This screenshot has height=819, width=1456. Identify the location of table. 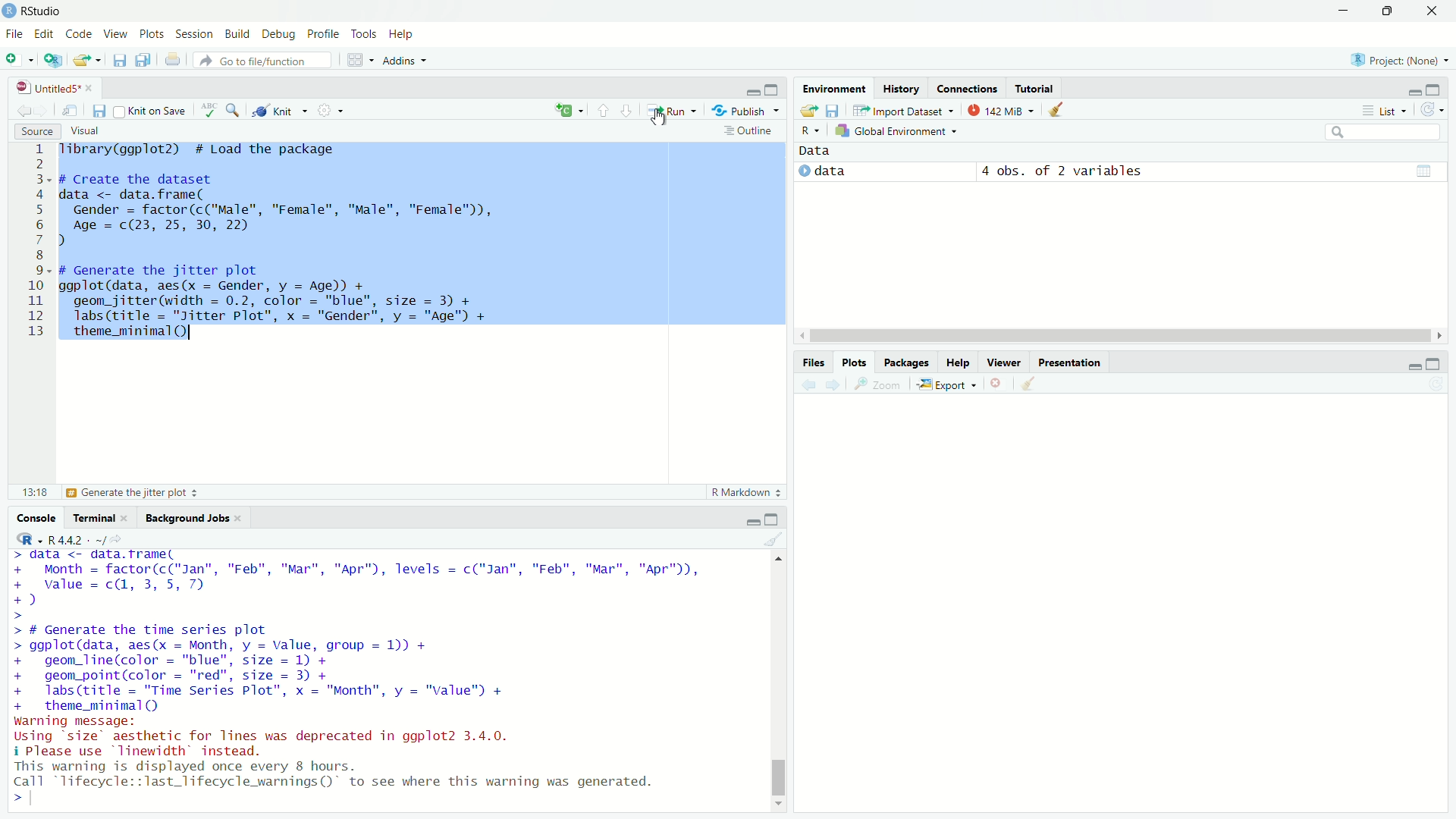
(1426, 170).